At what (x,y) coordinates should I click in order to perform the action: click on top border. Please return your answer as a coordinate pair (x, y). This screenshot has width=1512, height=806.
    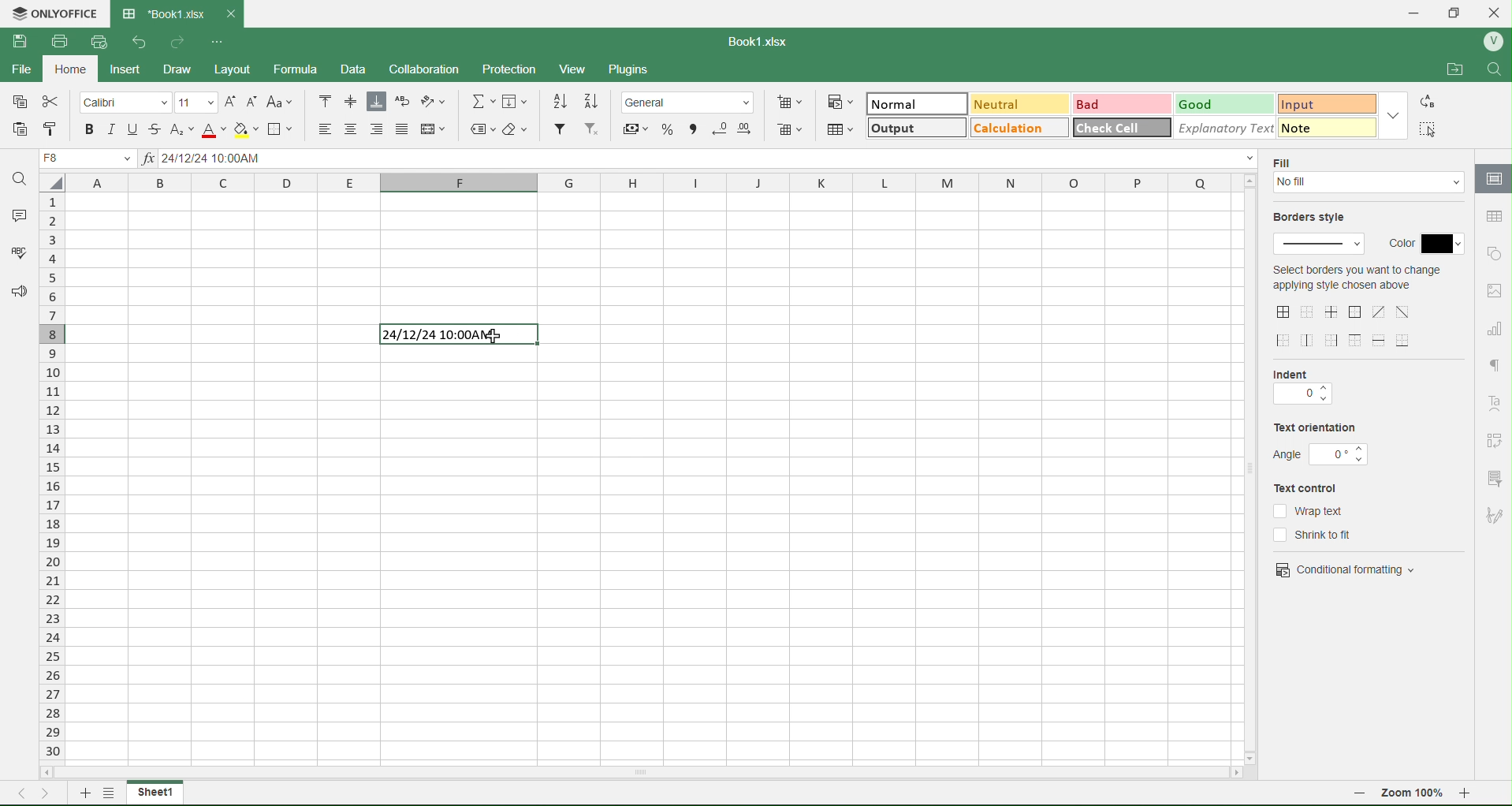
    Looking at the image, I should click on (1355, 340).